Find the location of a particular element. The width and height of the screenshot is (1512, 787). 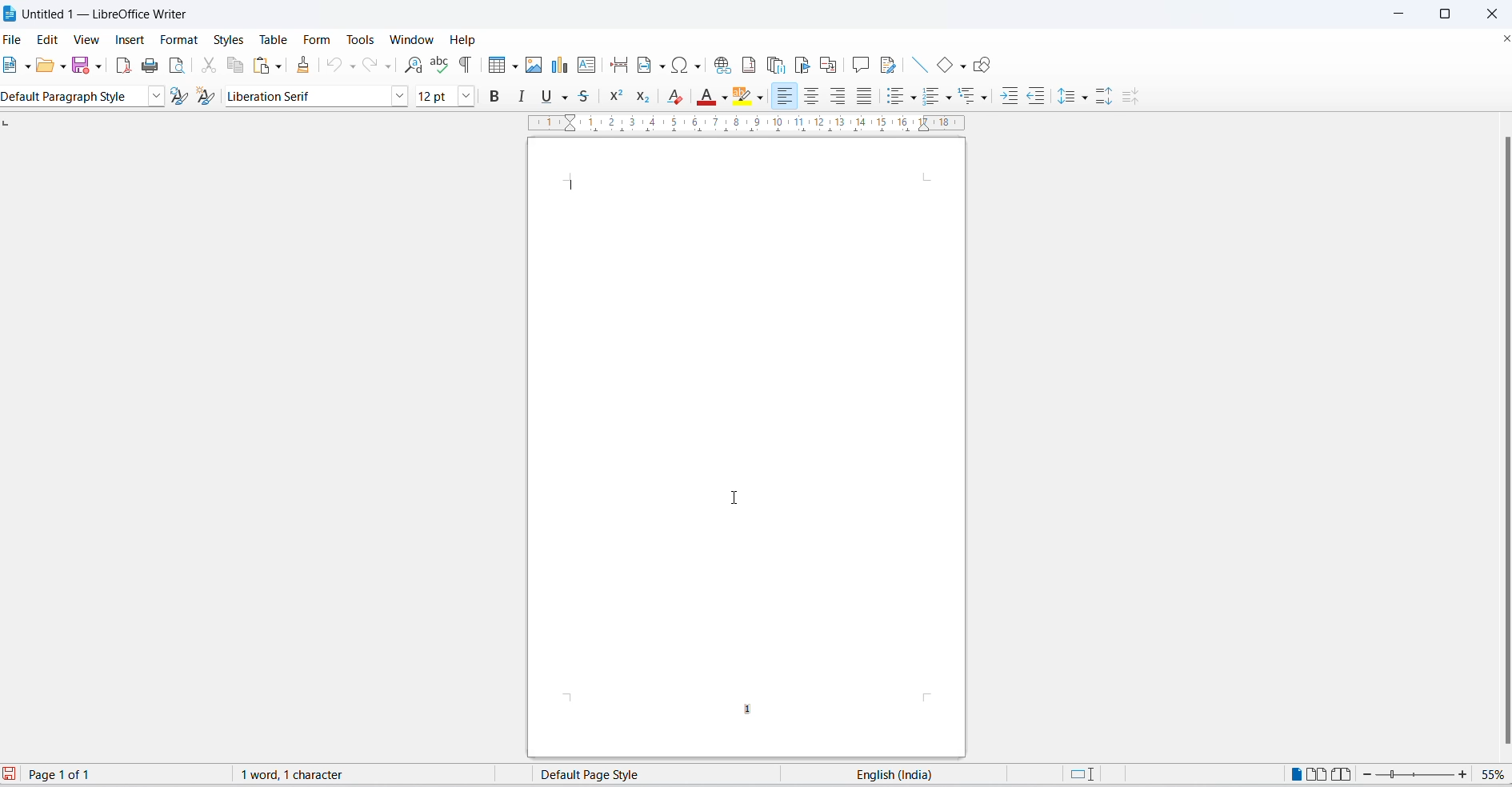

insert footnote is located at coordinates (749, 65).